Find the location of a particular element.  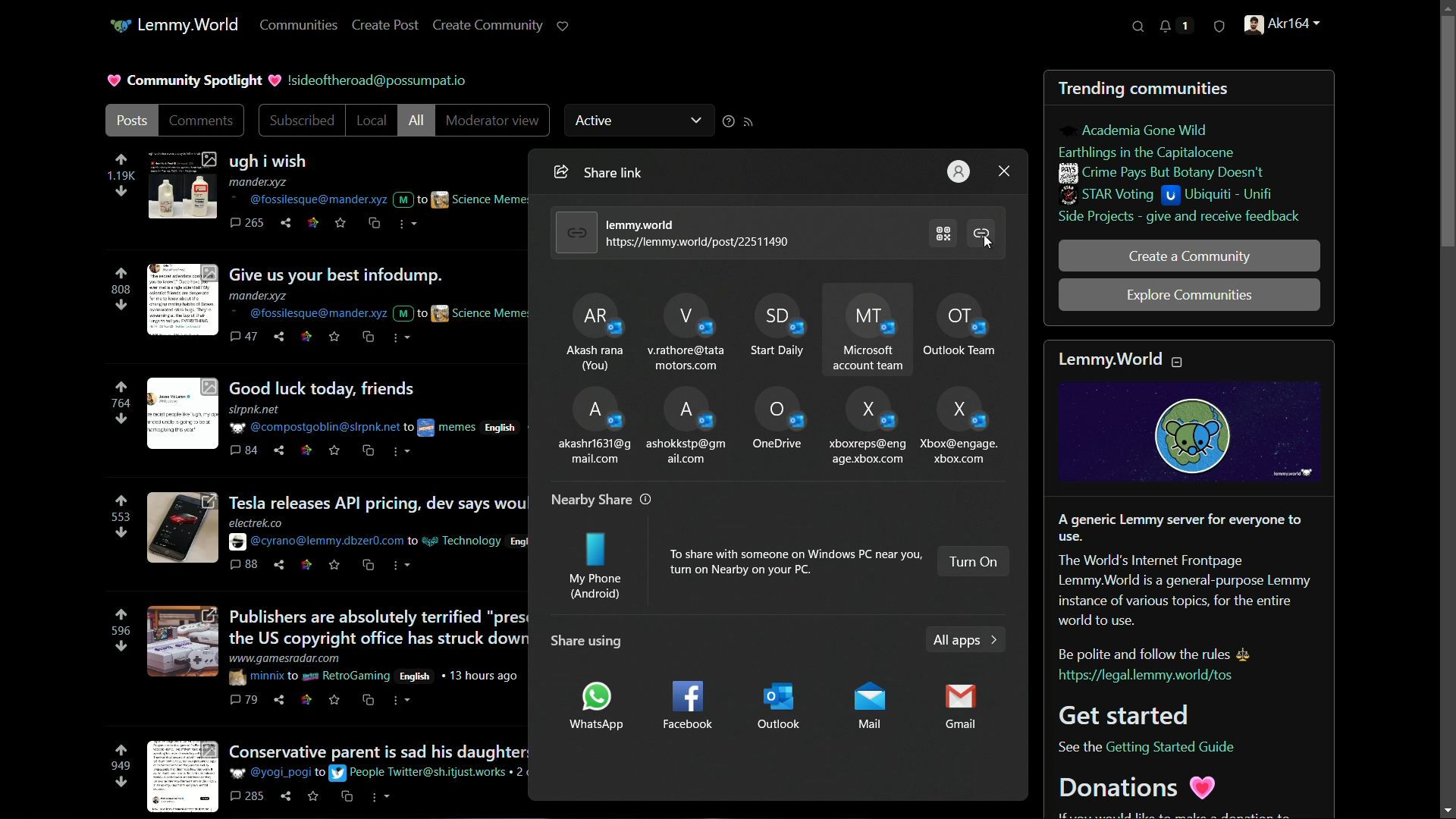

Conservative parent is sad his daughter is located at coordinates (378, 749).